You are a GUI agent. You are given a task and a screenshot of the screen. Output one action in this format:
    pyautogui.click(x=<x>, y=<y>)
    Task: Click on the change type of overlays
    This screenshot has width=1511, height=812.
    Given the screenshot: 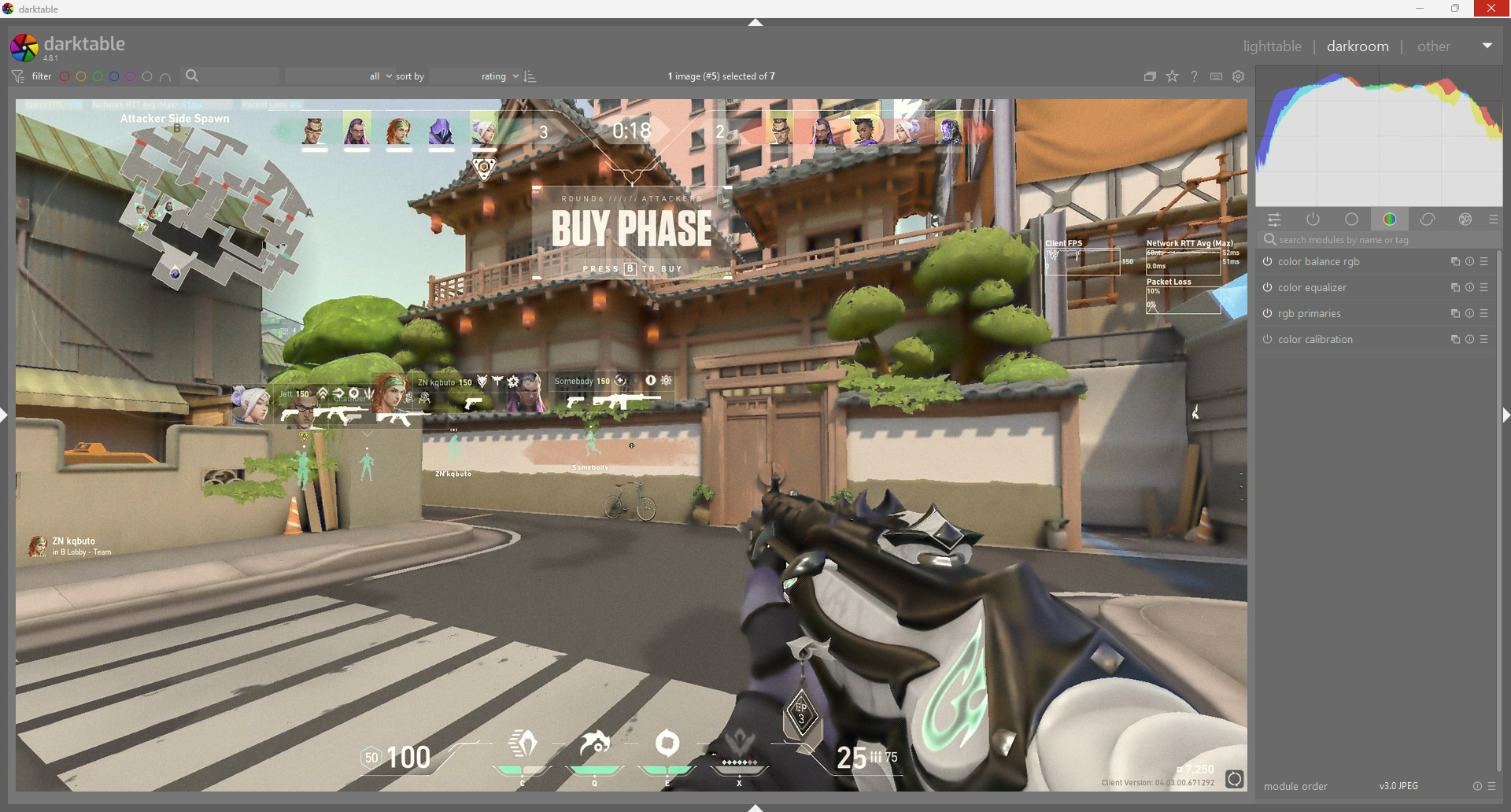 What is the action you would take?
    pyautogui.click(x=1173, y=76)
    